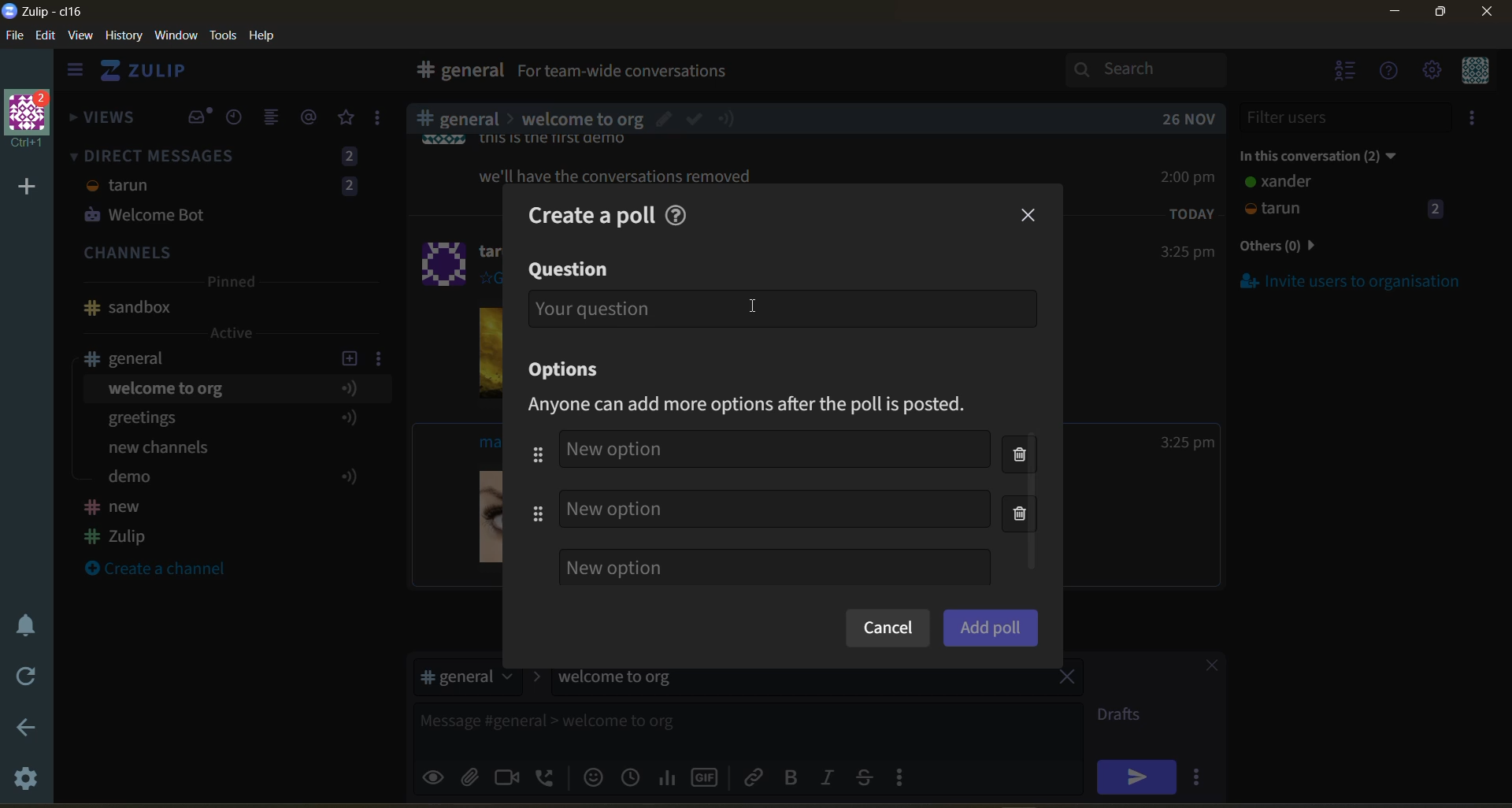 The height and width of the screenshot is (808, 1512). Describe the element at coordinates (228, 436) in the screenshot. I see `topics` at that location.